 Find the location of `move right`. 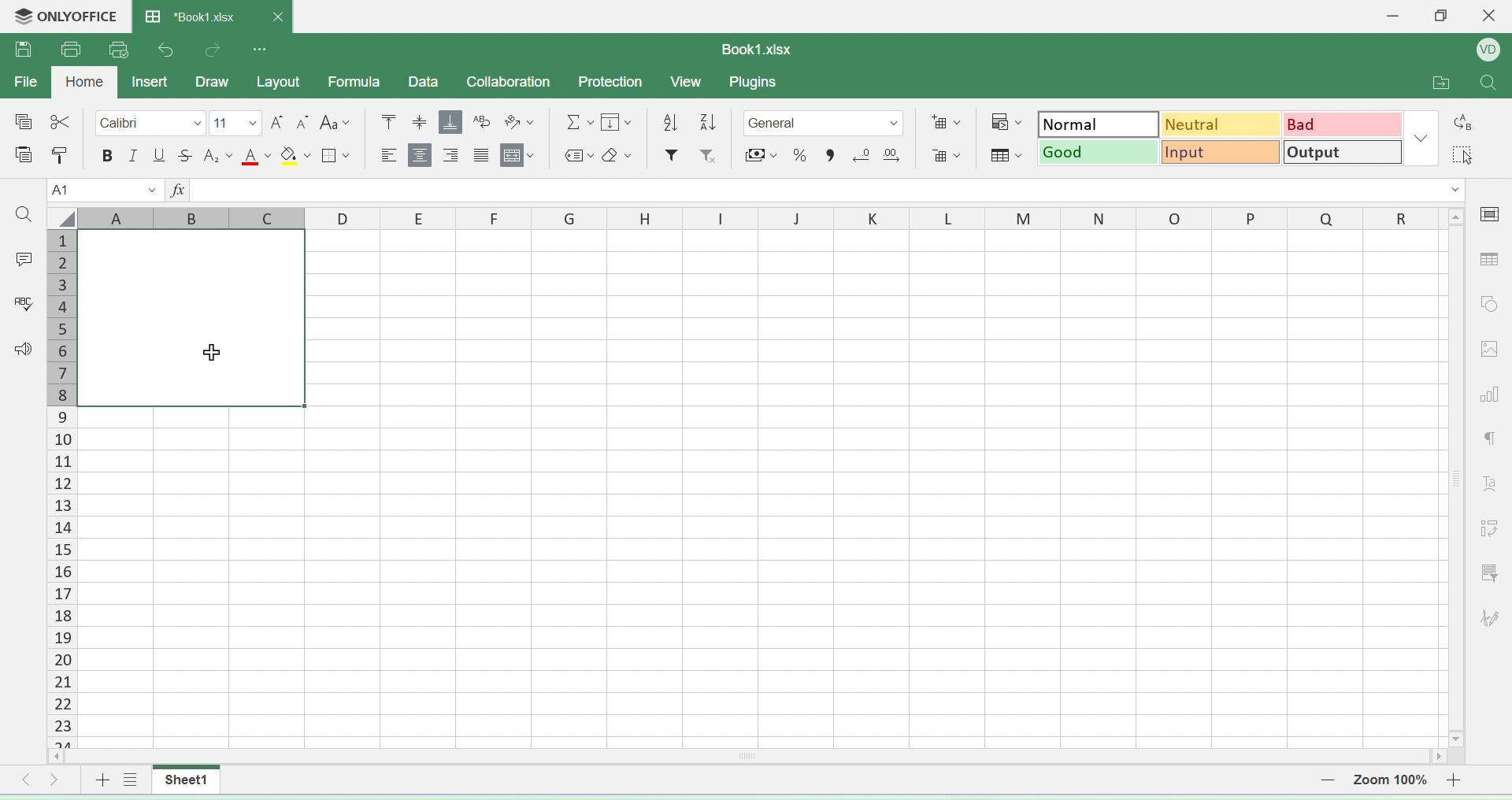

move right is located at coordinates (55, 782).